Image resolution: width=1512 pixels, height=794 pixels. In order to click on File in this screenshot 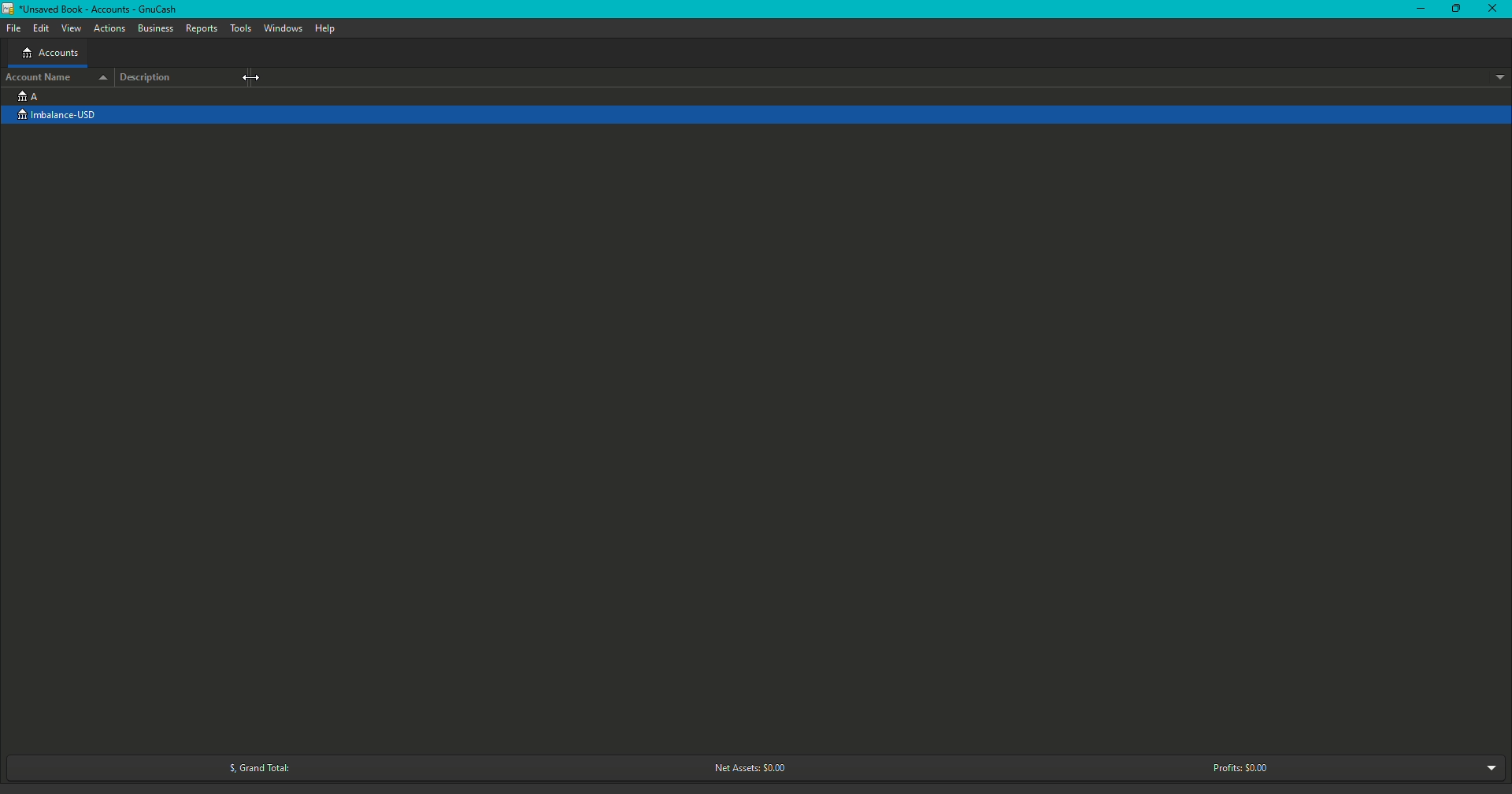, I will do `click(17, 28)`.